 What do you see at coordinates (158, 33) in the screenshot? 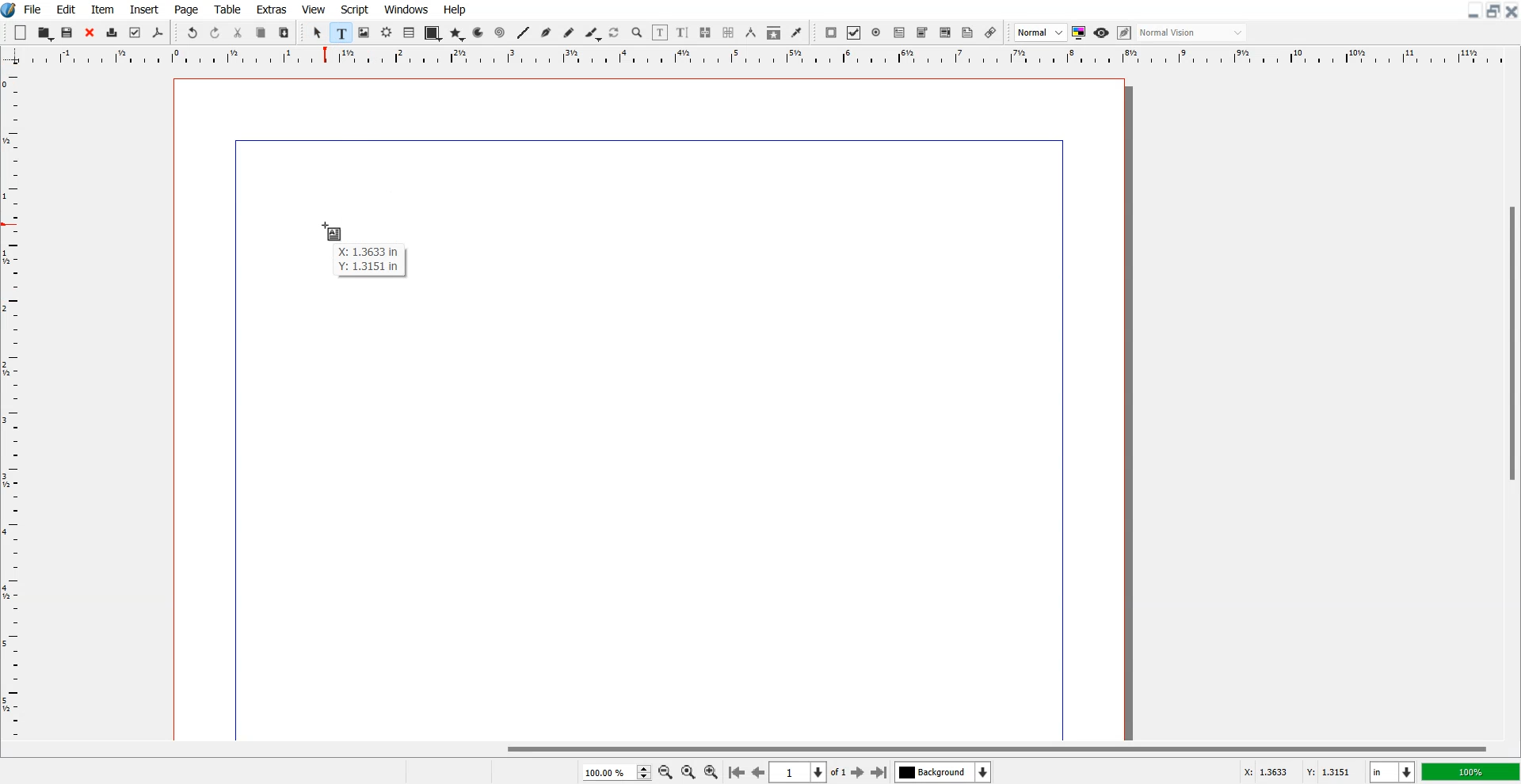
I see `Save as PDF` at bounding box center [158, 33].